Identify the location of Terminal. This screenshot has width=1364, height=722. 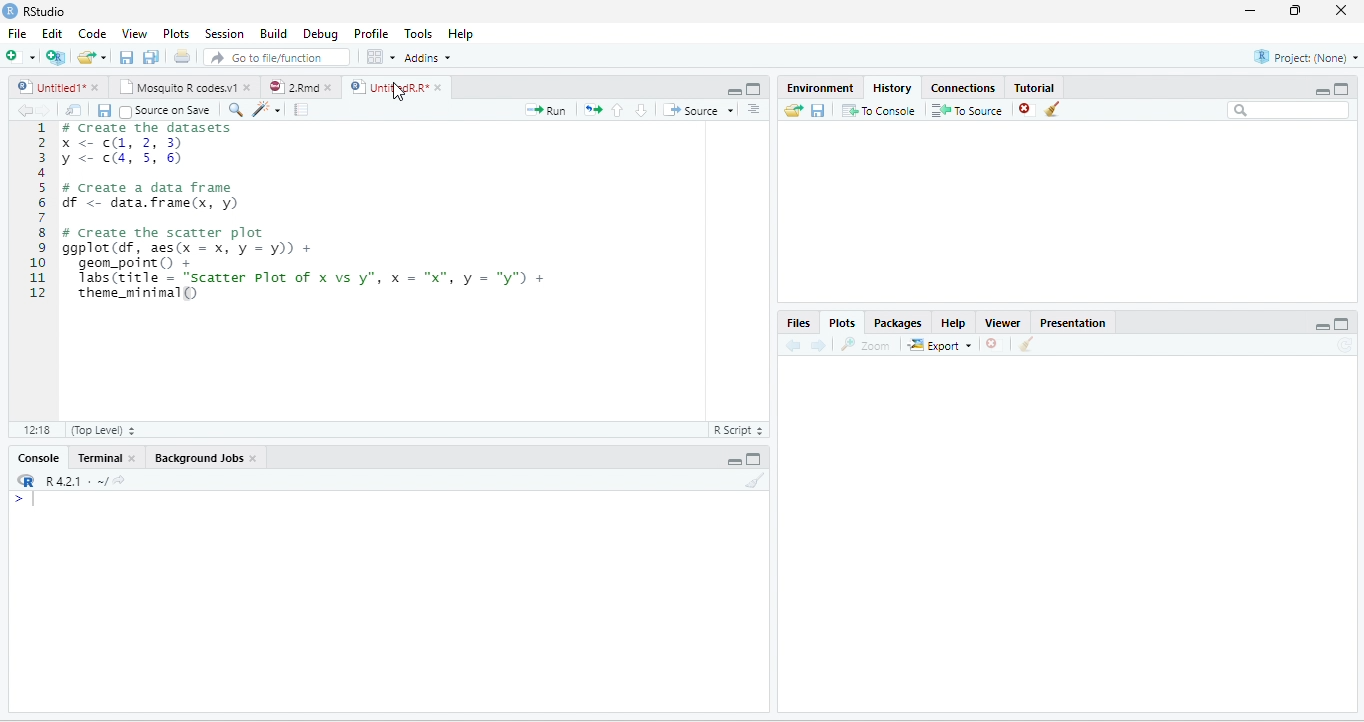
(99, 458).